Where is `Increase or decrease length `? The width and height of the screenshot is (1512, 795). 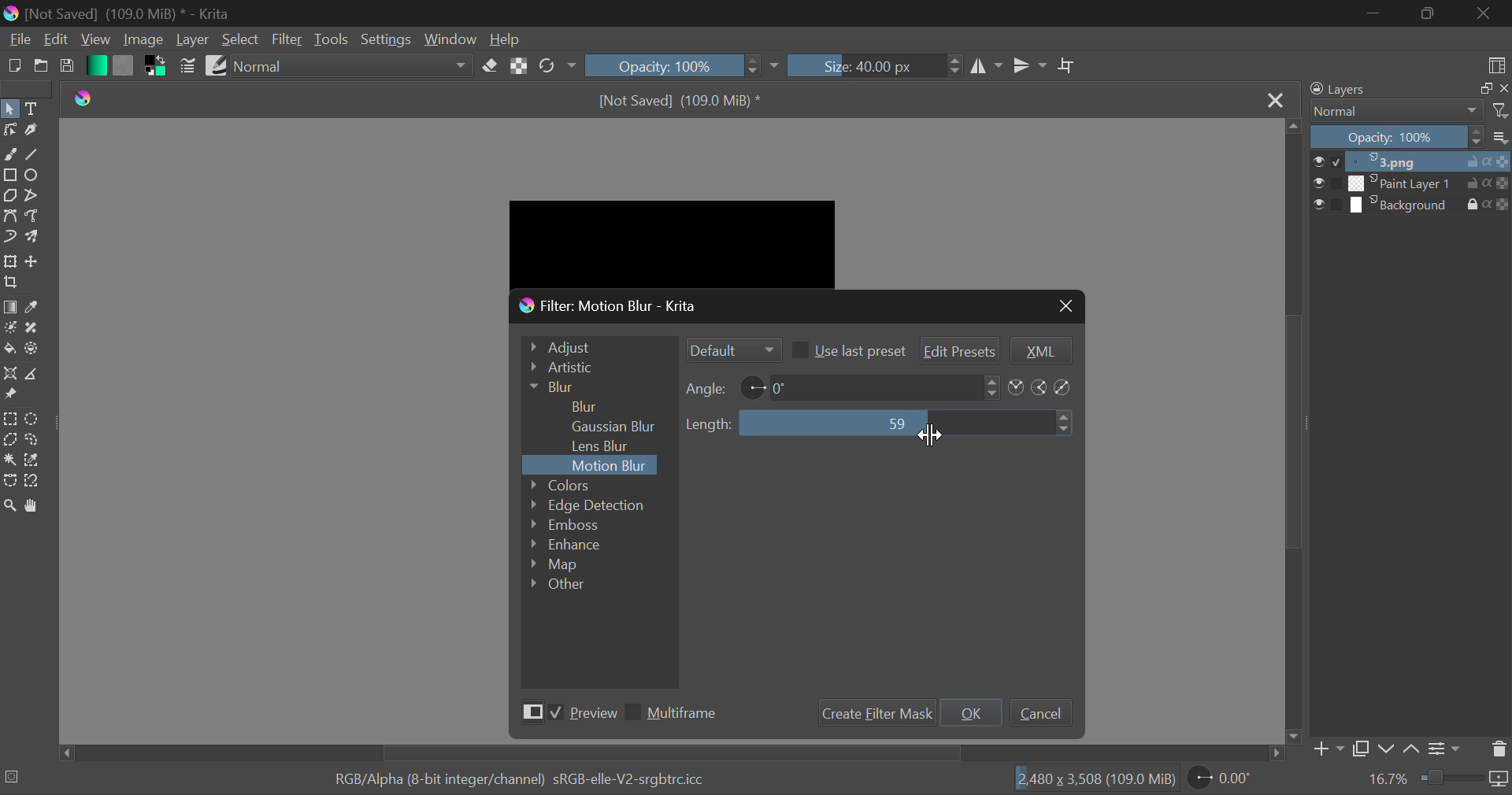 Increase or decrease length  is located at coordinates (1065, 423).